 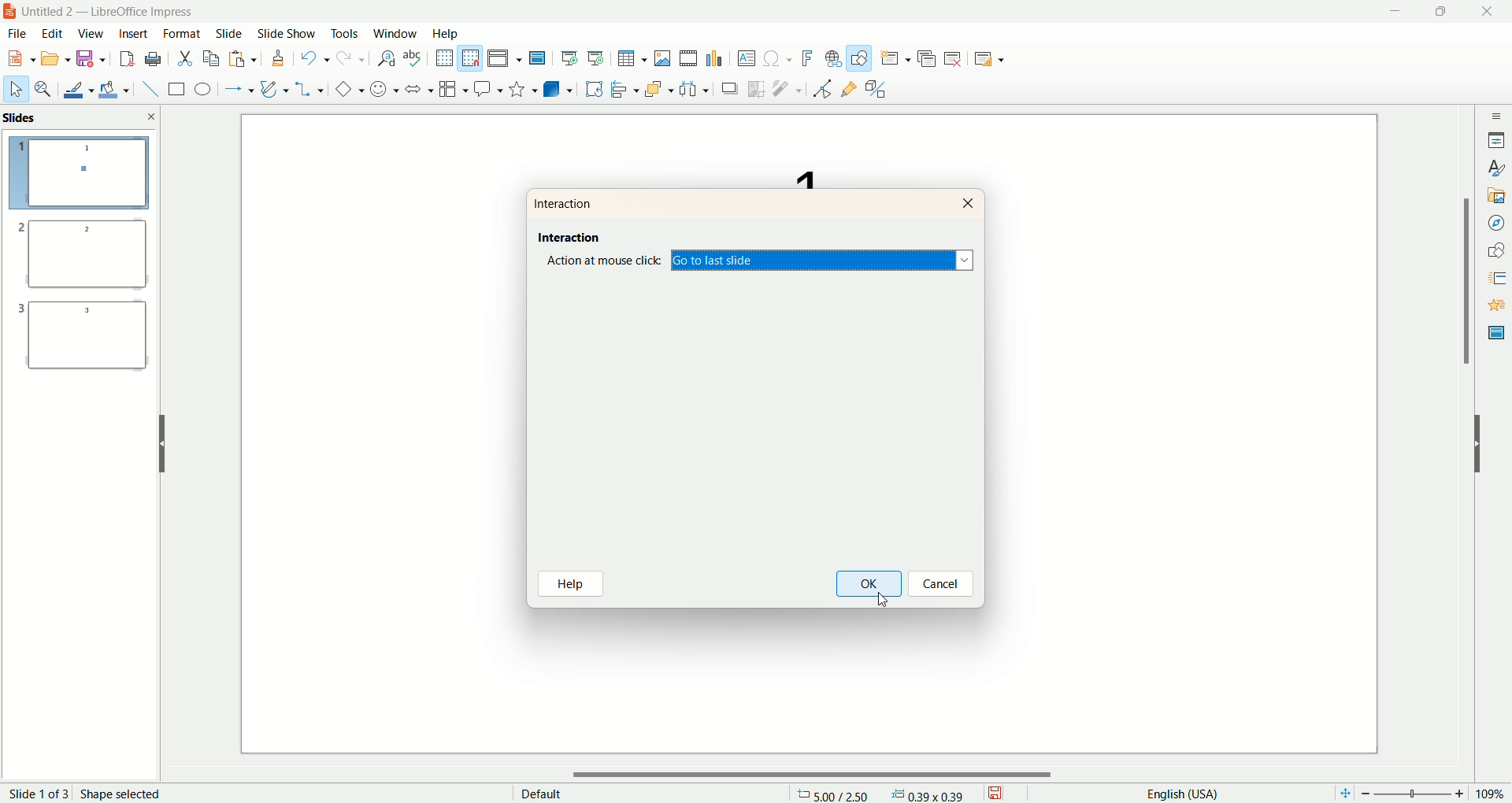 I want to click on copy, so click(x=211, y=57).